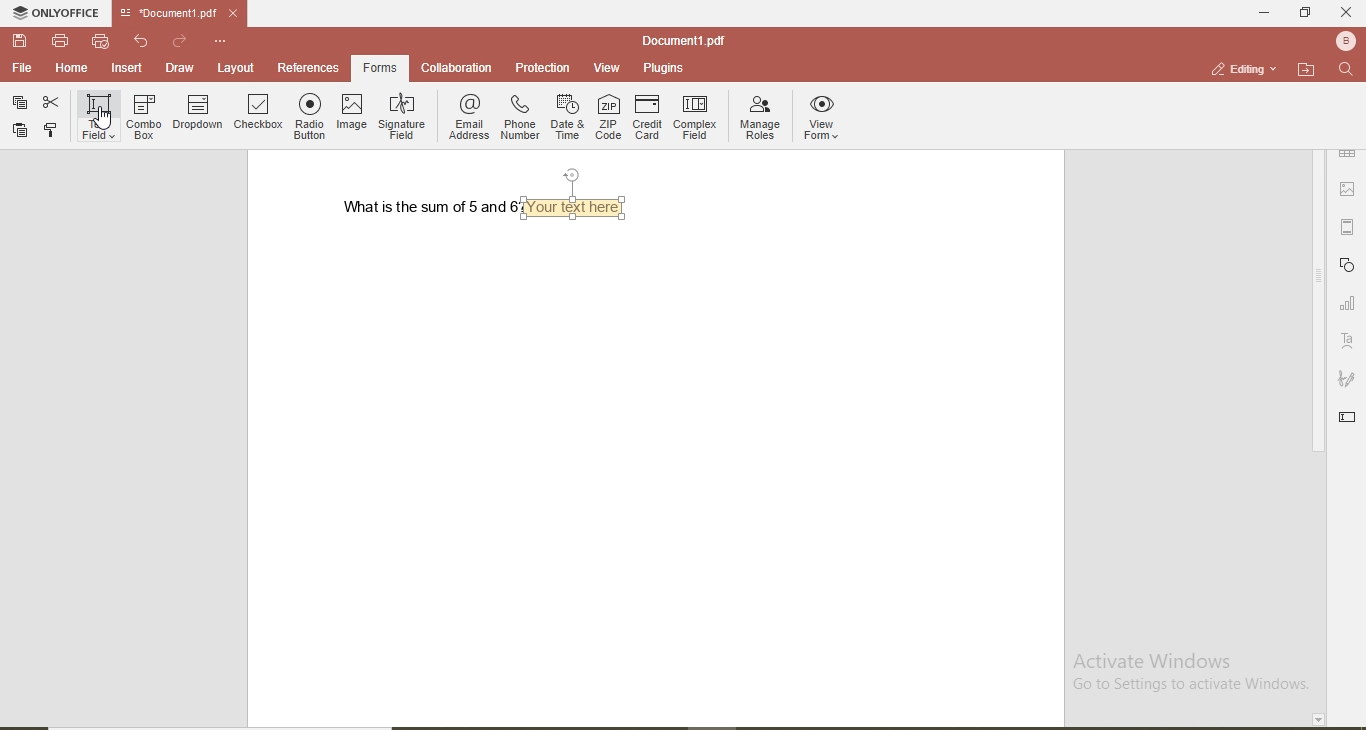 Image resolution: width=1366 pixels, height=730 pixels. What do you see at coordinates (1235, 68) in the screenshot?
I see `editing` at bounding box center [1235, 68].